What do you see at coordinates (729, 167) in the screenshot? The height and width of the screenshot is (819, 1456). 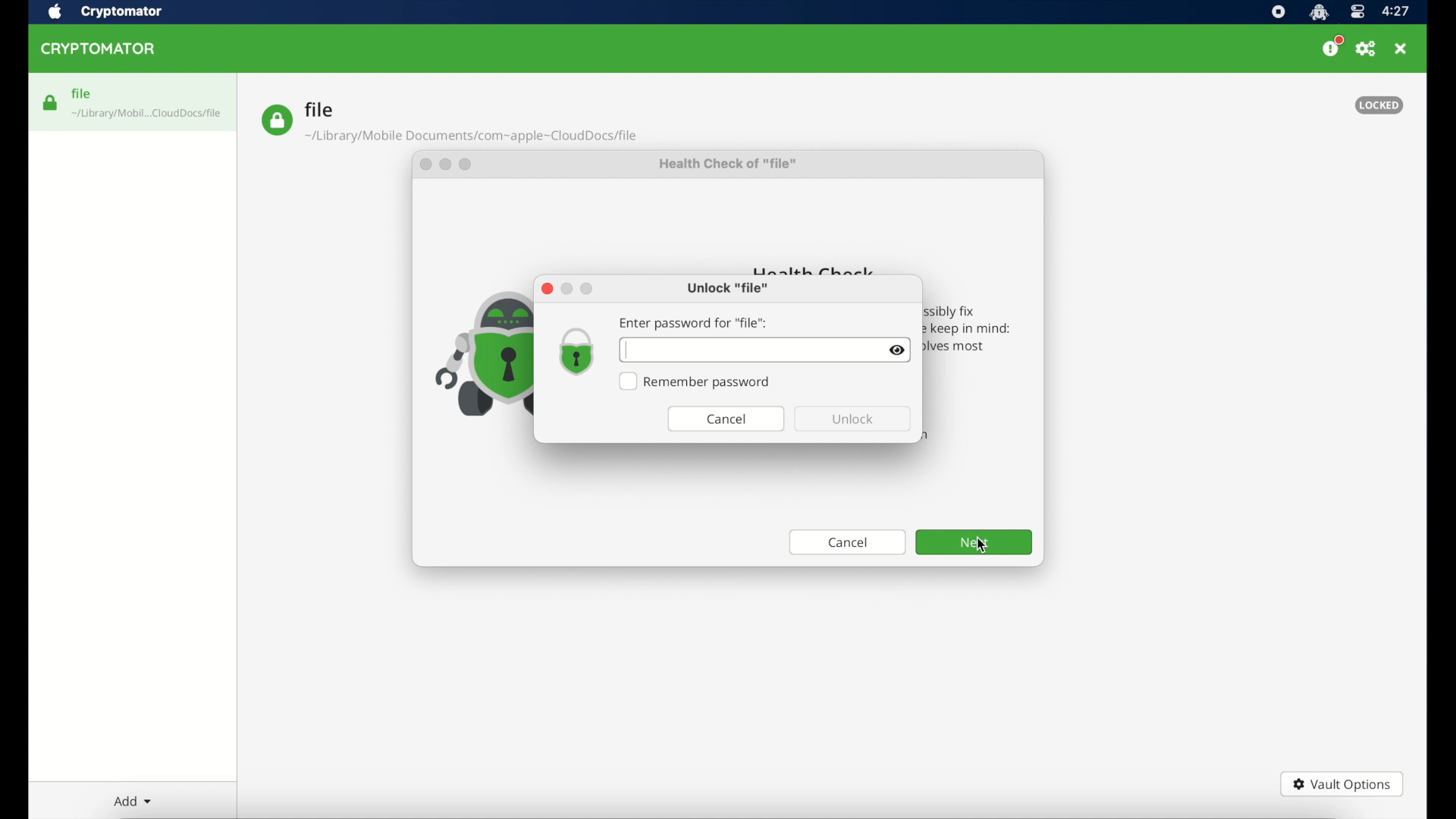 I see `health check of "file"` at bounding box center [729, 167].